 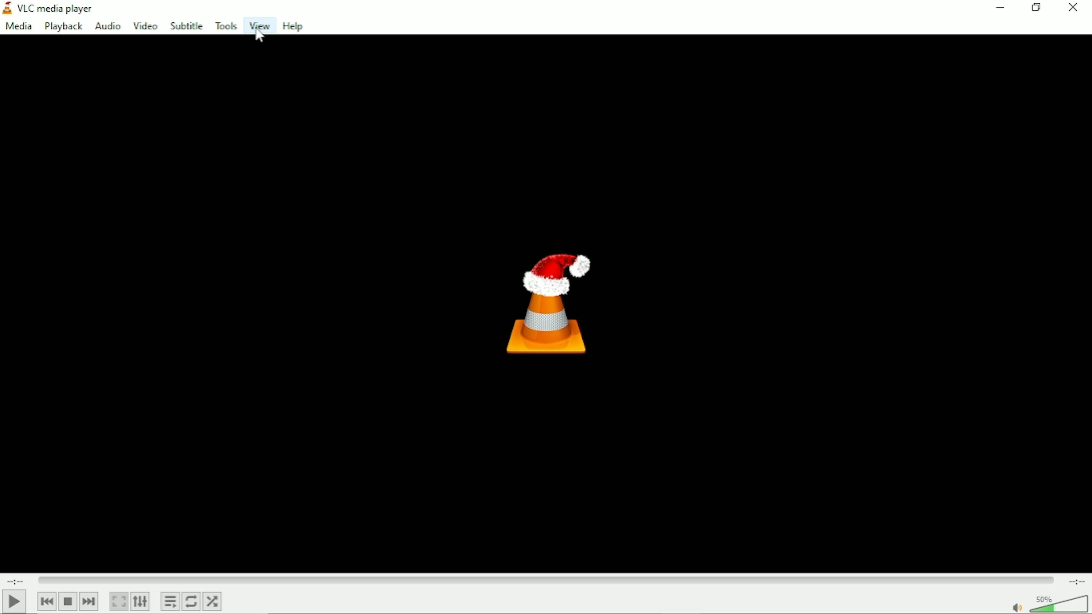 I want to click on VLC media player, so click(x=56, y=9).